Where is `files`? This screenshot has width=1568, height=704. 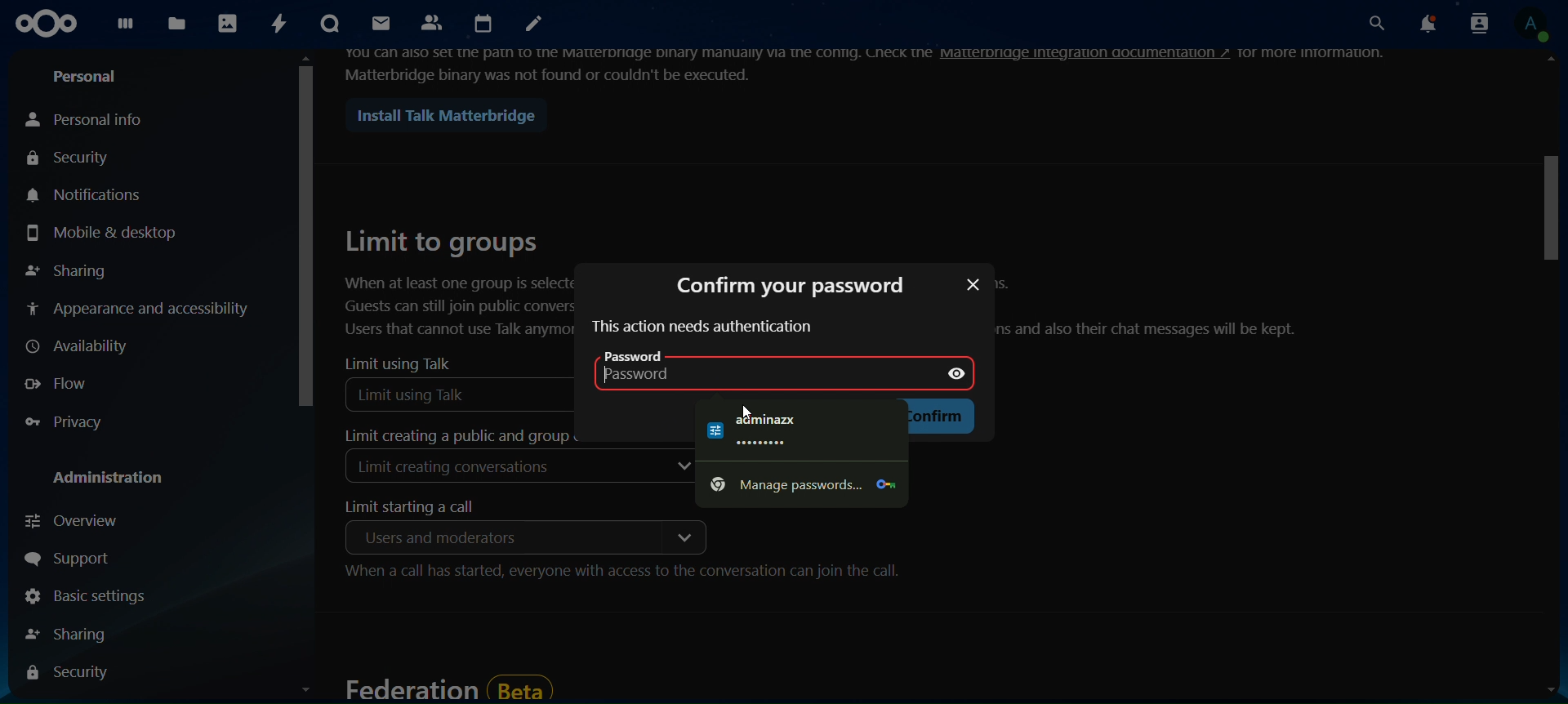 files is located at coordinates (177, 21).